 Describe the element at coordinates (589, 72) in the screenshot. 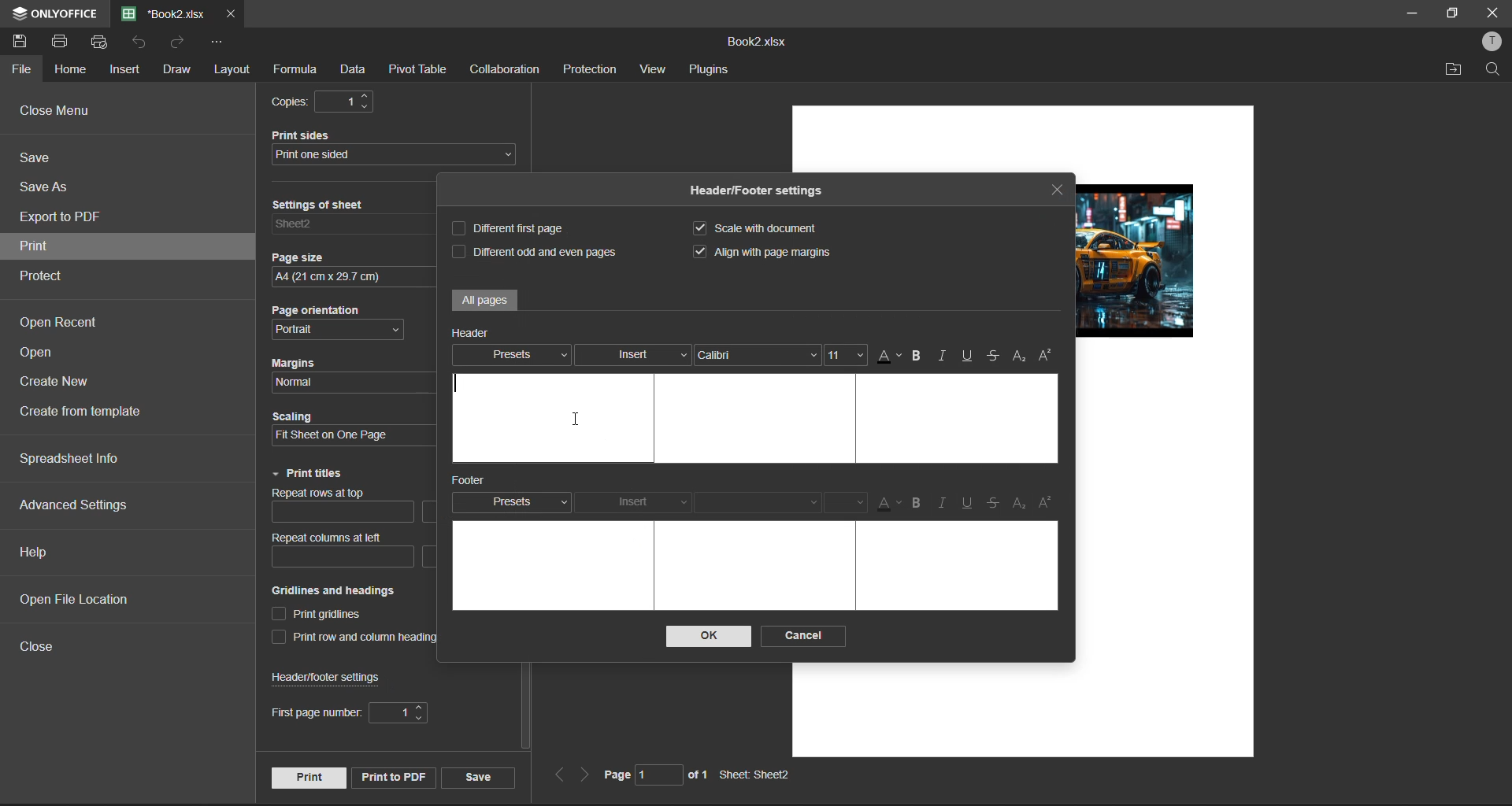

I see `protection` at that location.